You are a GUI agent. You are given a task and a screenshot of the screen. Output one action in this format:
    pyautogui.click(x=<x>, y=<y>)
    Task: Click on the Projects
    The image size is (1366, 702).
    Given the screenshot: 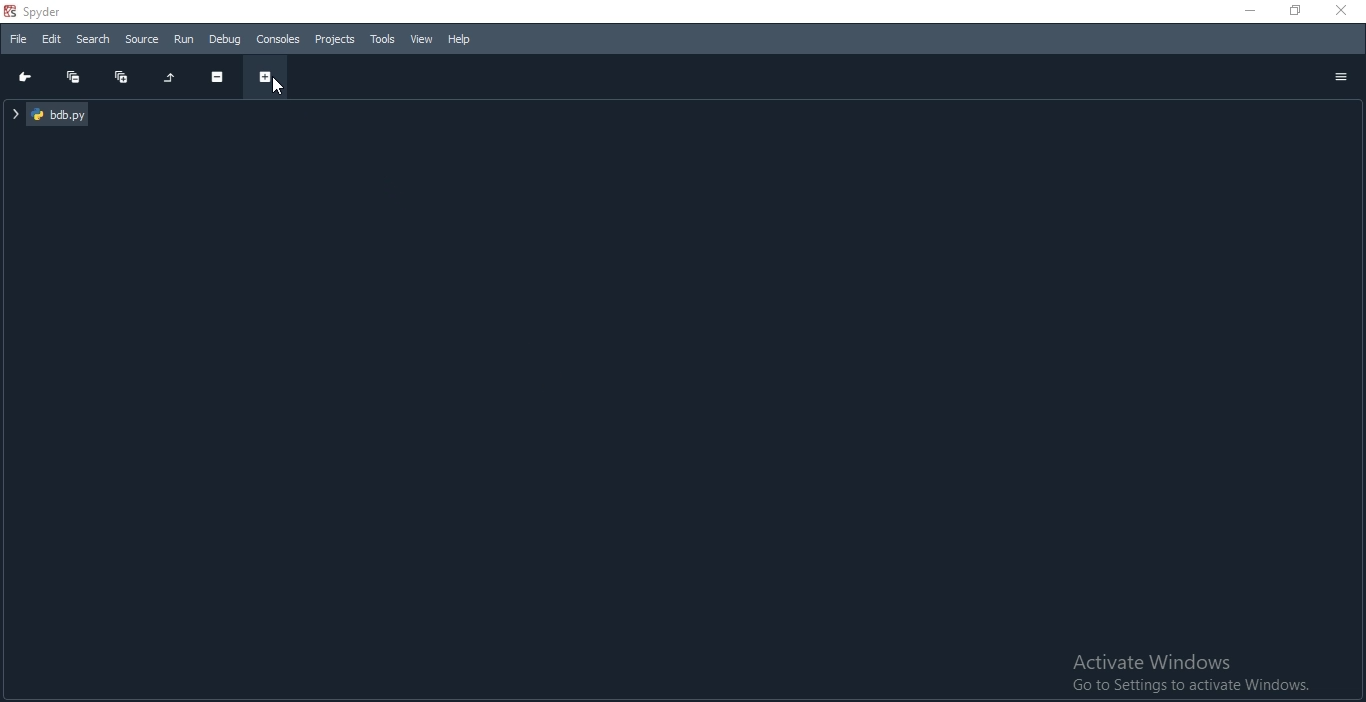 What is the action you would take?
    pyautogui.click(x=336, y=39)
    